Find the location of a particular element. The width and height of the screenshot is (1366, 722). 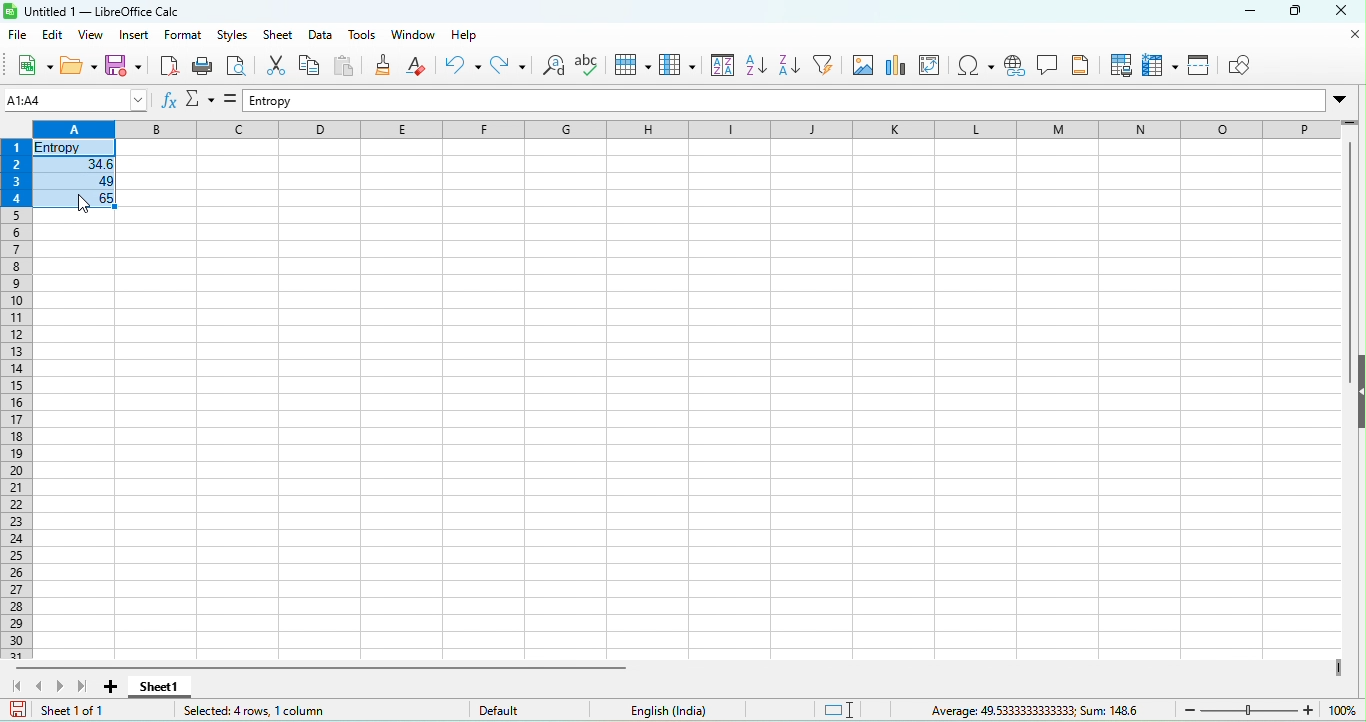

default is located at coordinates (534, 710).